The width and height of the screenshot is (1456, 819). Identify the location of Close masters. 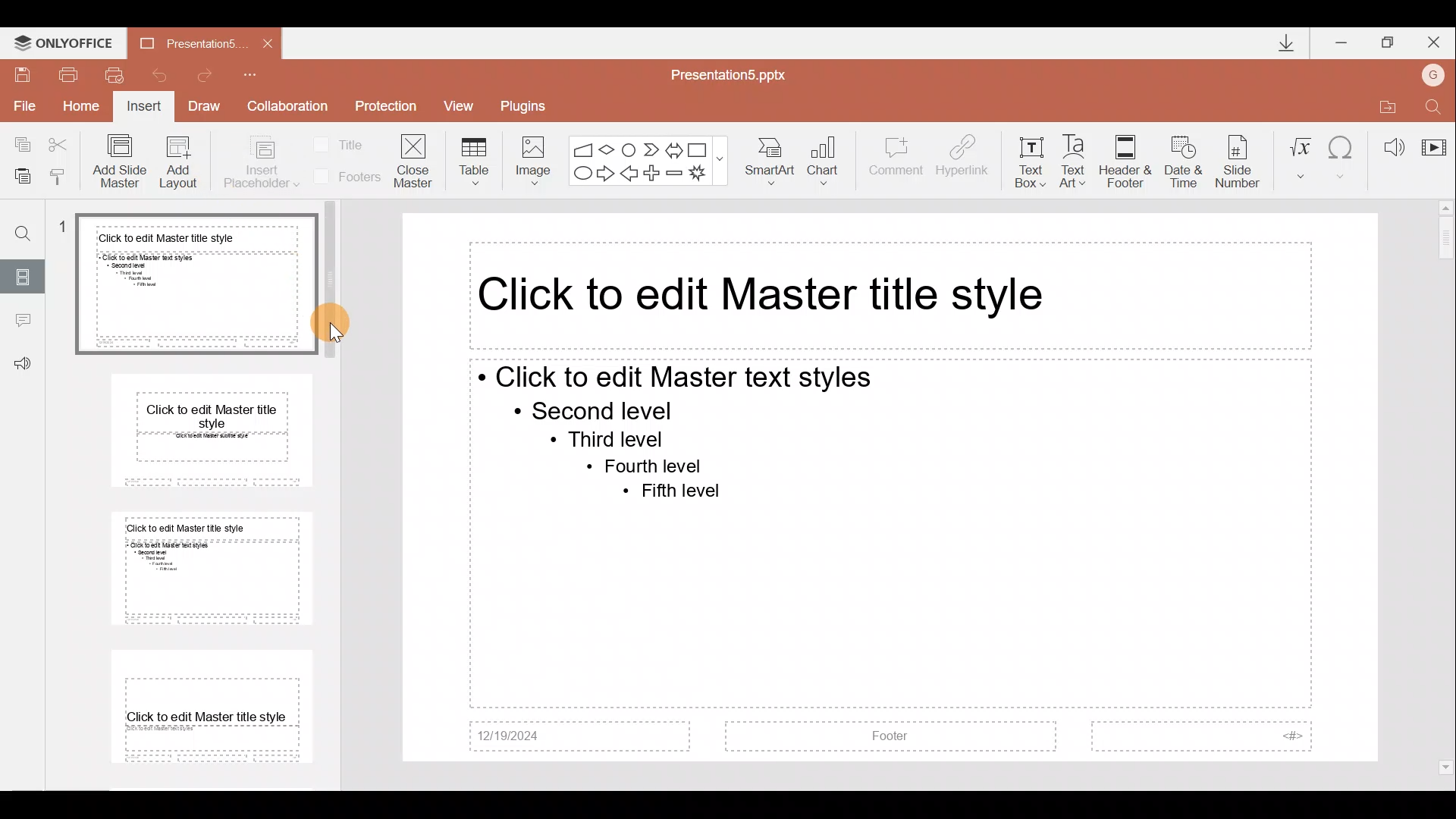
(415, 160).